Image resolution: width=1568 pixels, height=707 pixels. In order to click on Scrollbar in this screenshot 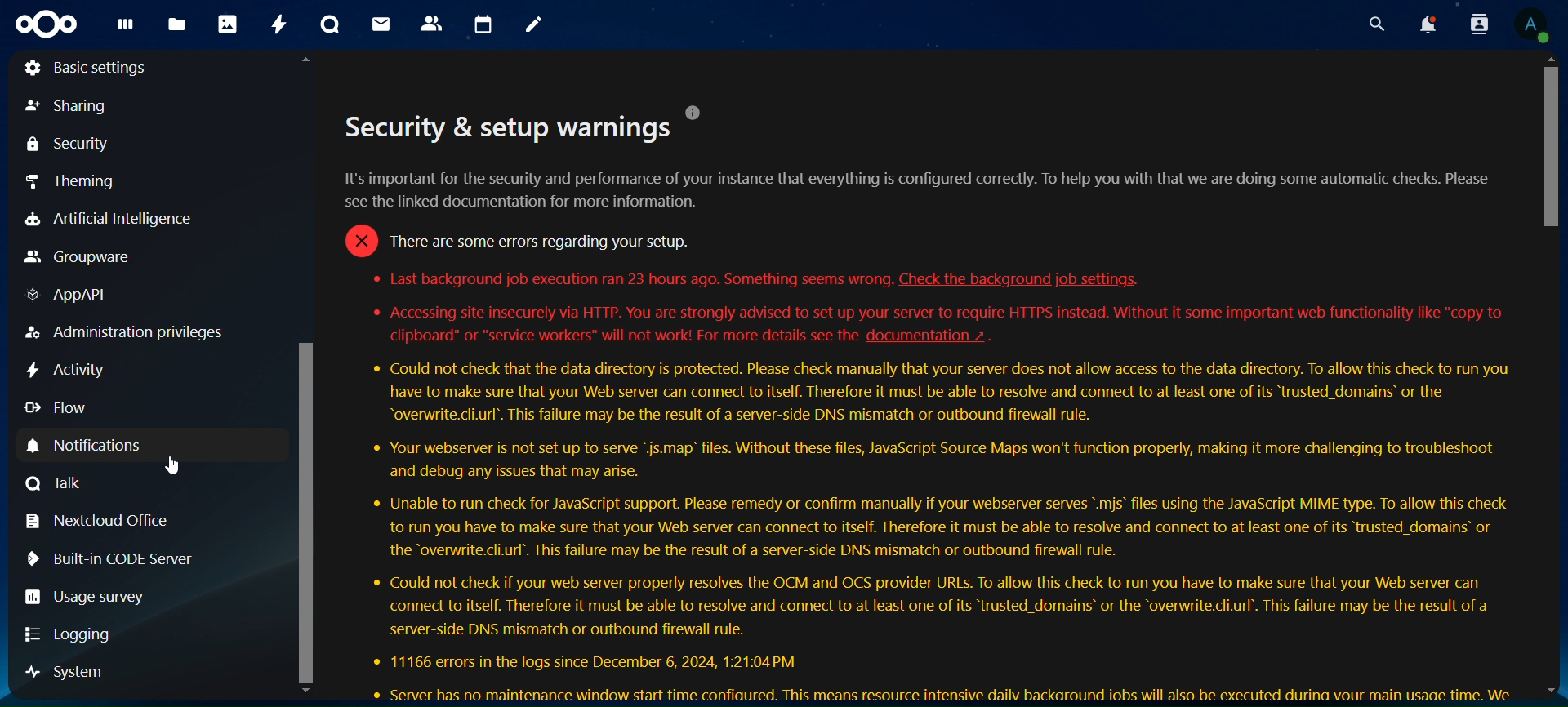, I will do `click(307, 377)`.